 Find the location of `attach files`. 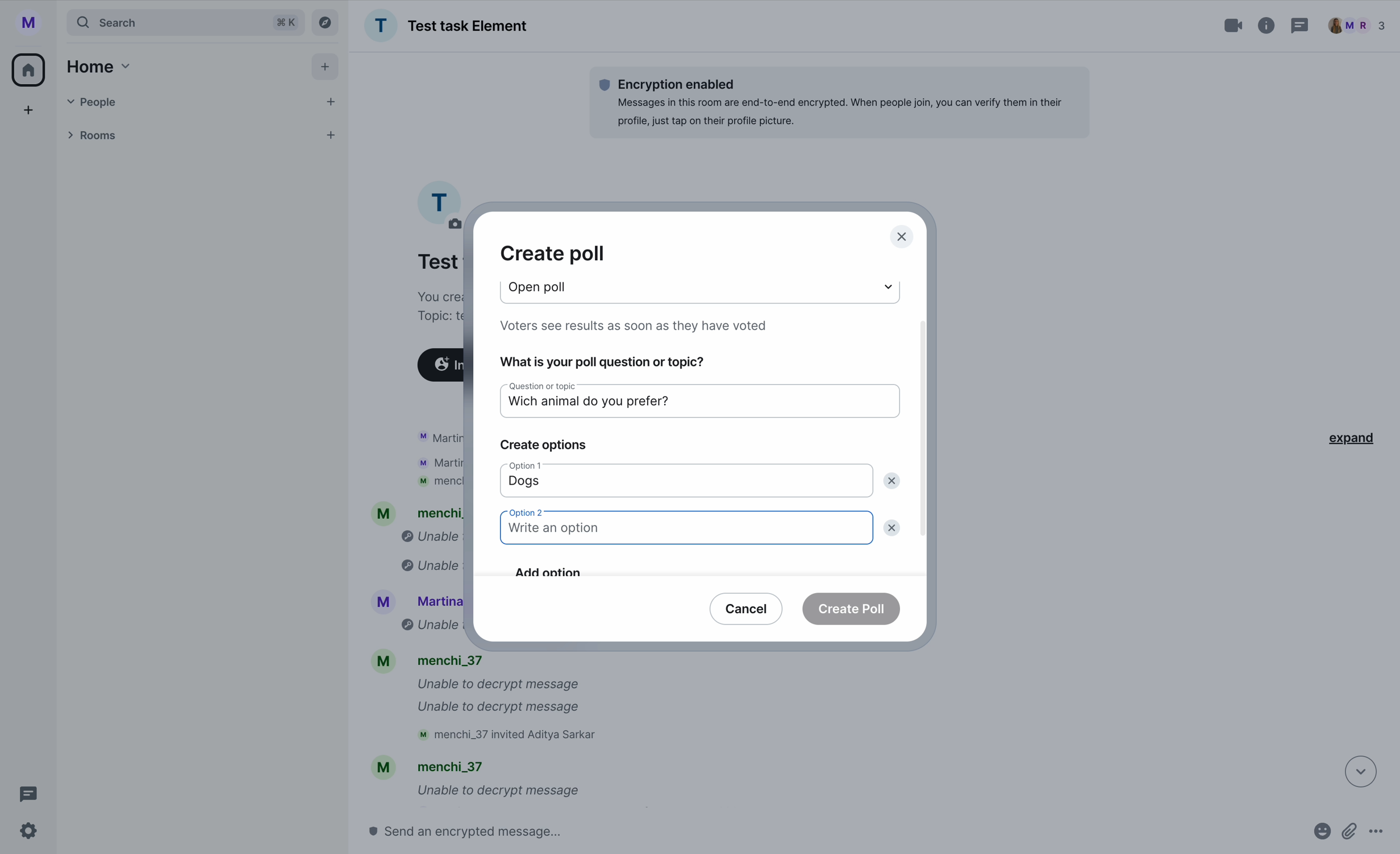

attach files is located at coordinates (1351, 836).